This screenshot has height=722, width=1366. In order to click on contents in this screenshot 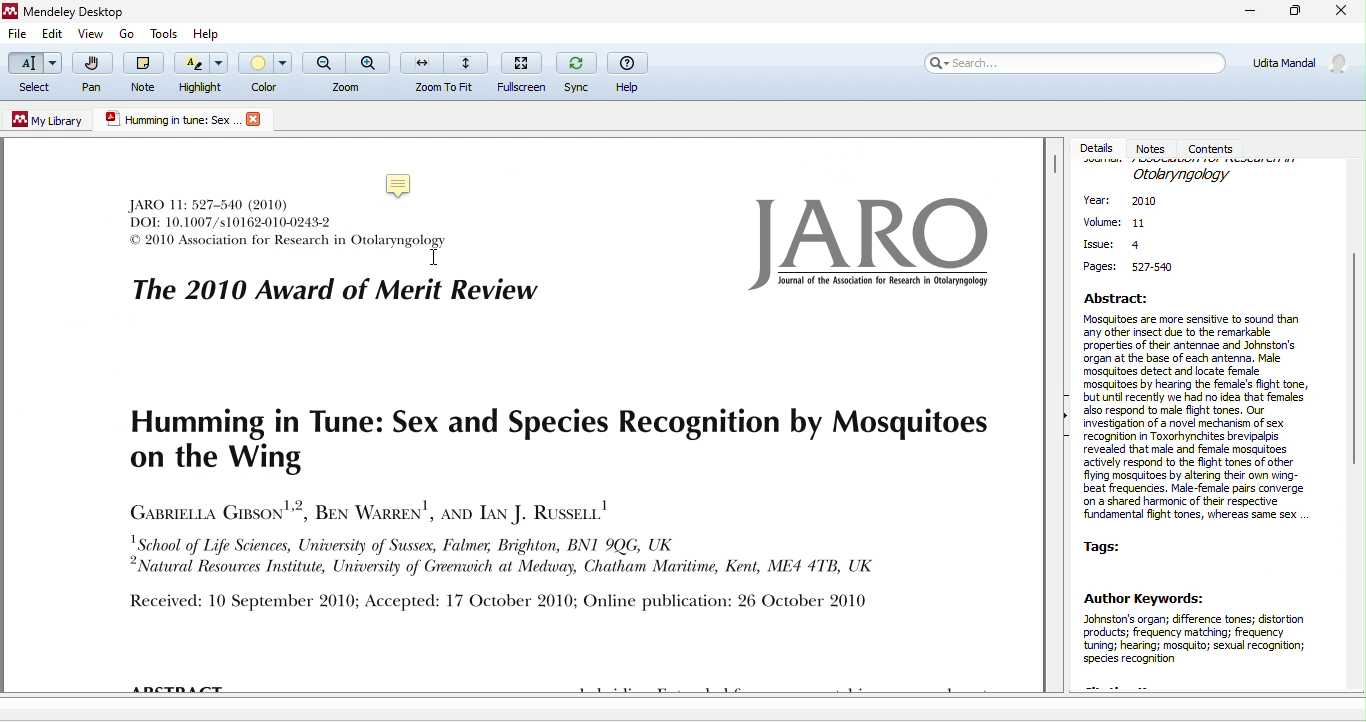, I will do `click(1215, 147)`.